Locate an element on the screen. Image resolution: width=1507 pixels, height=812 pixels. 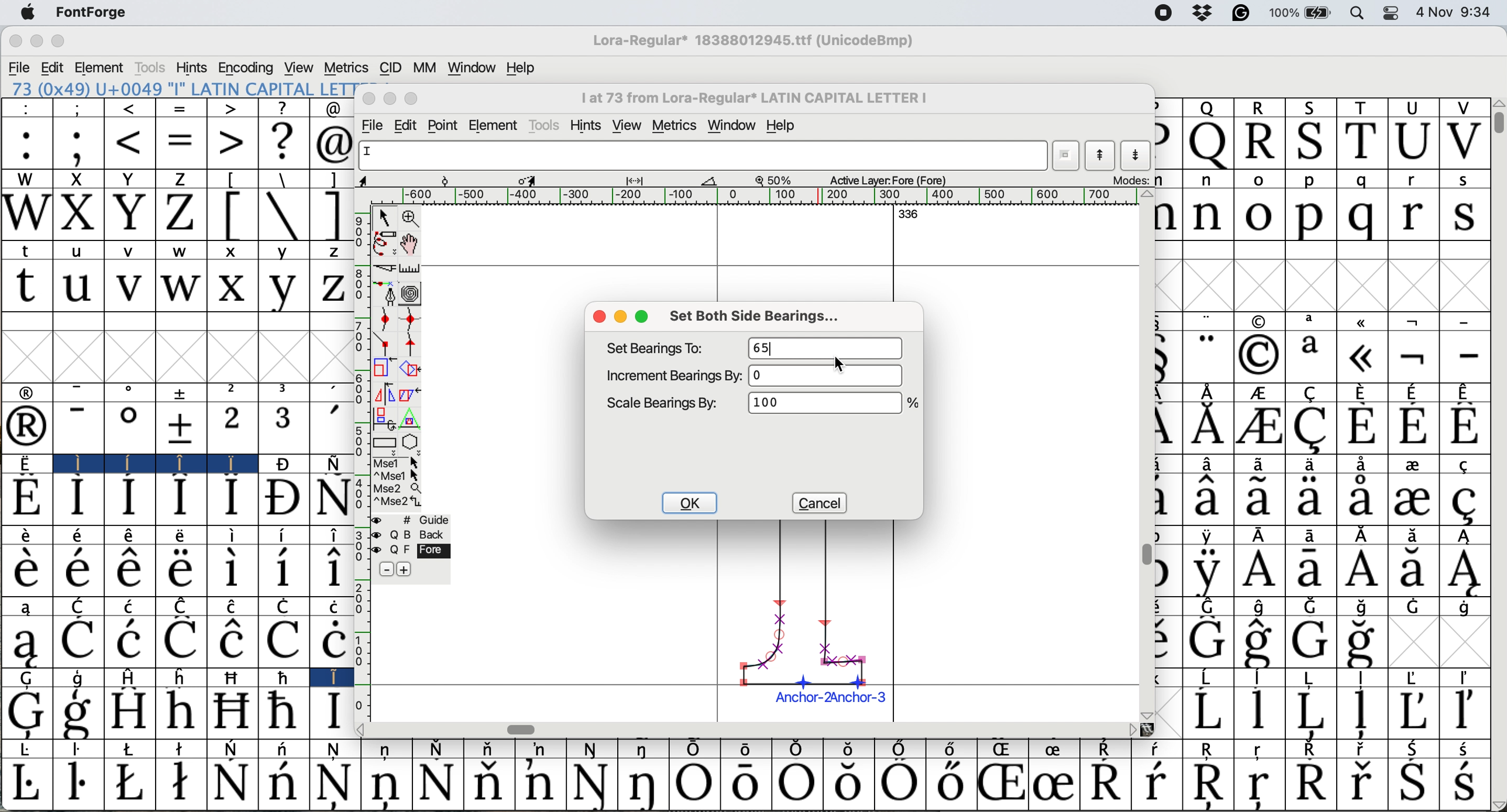
Symbol is located at coordinates (232, 571).